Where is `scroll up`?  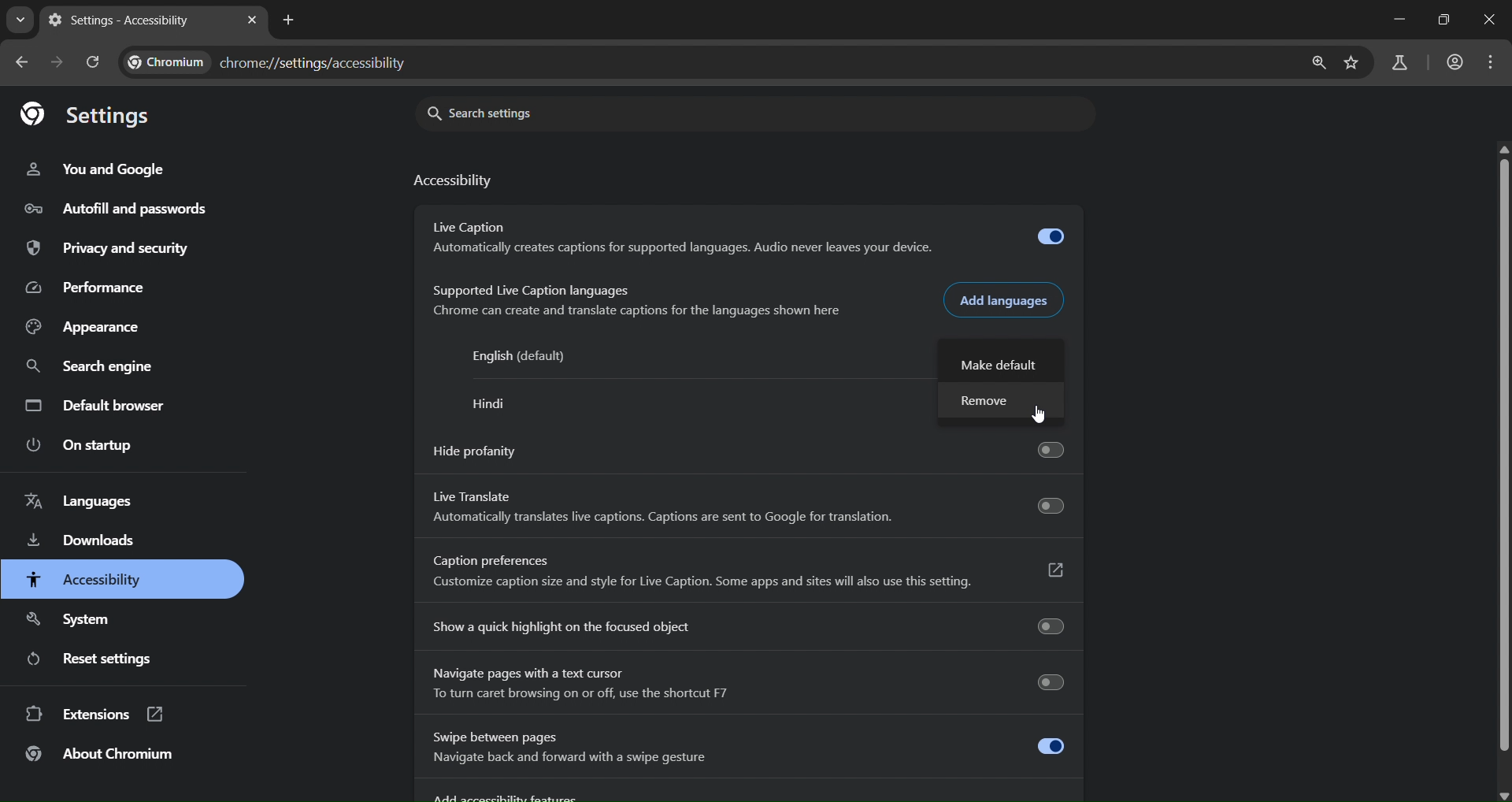
scroll up is located at coordinates (1503, 151).